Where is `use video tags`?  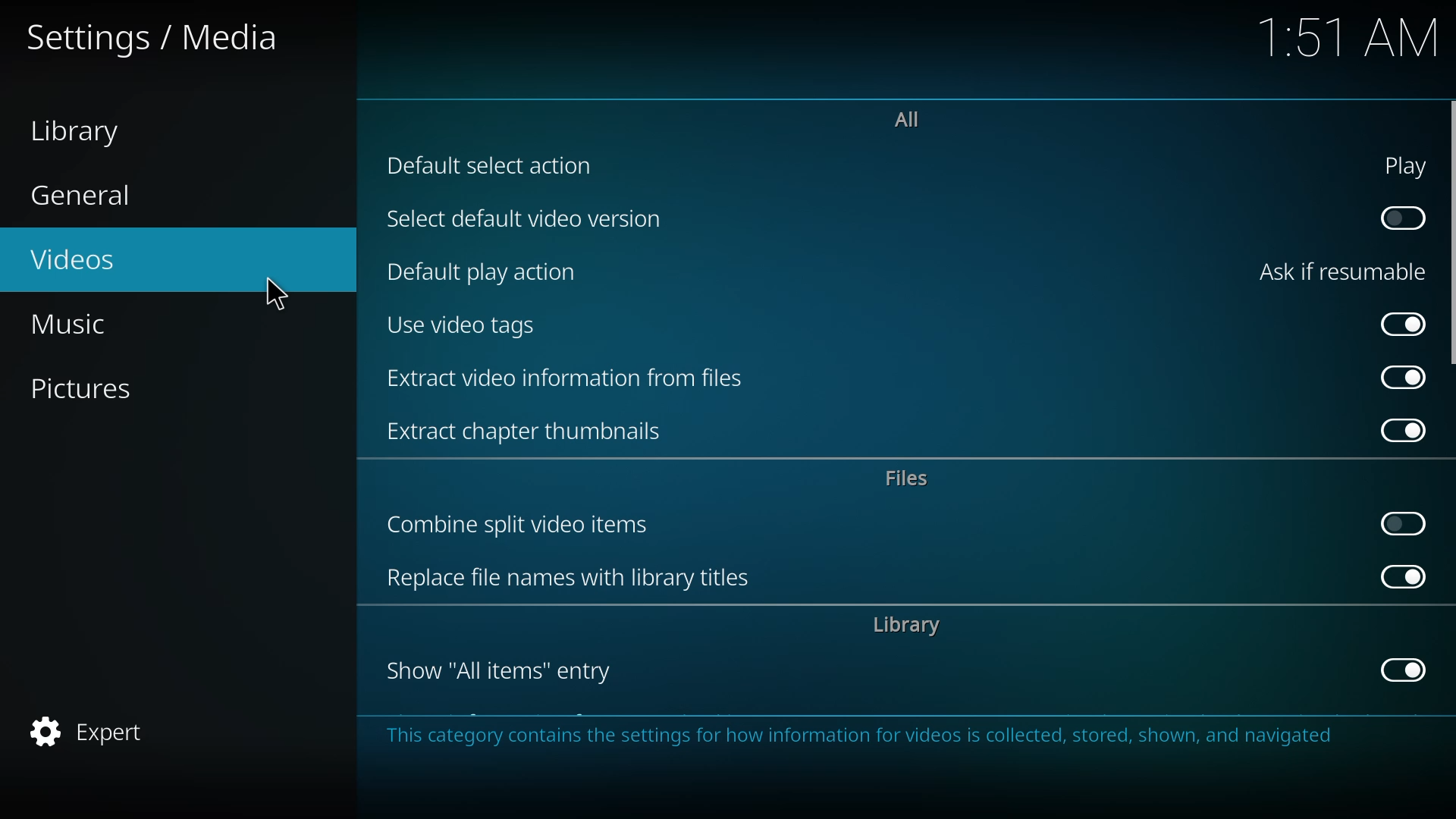 use video tags is located at coordinates (465, 323).